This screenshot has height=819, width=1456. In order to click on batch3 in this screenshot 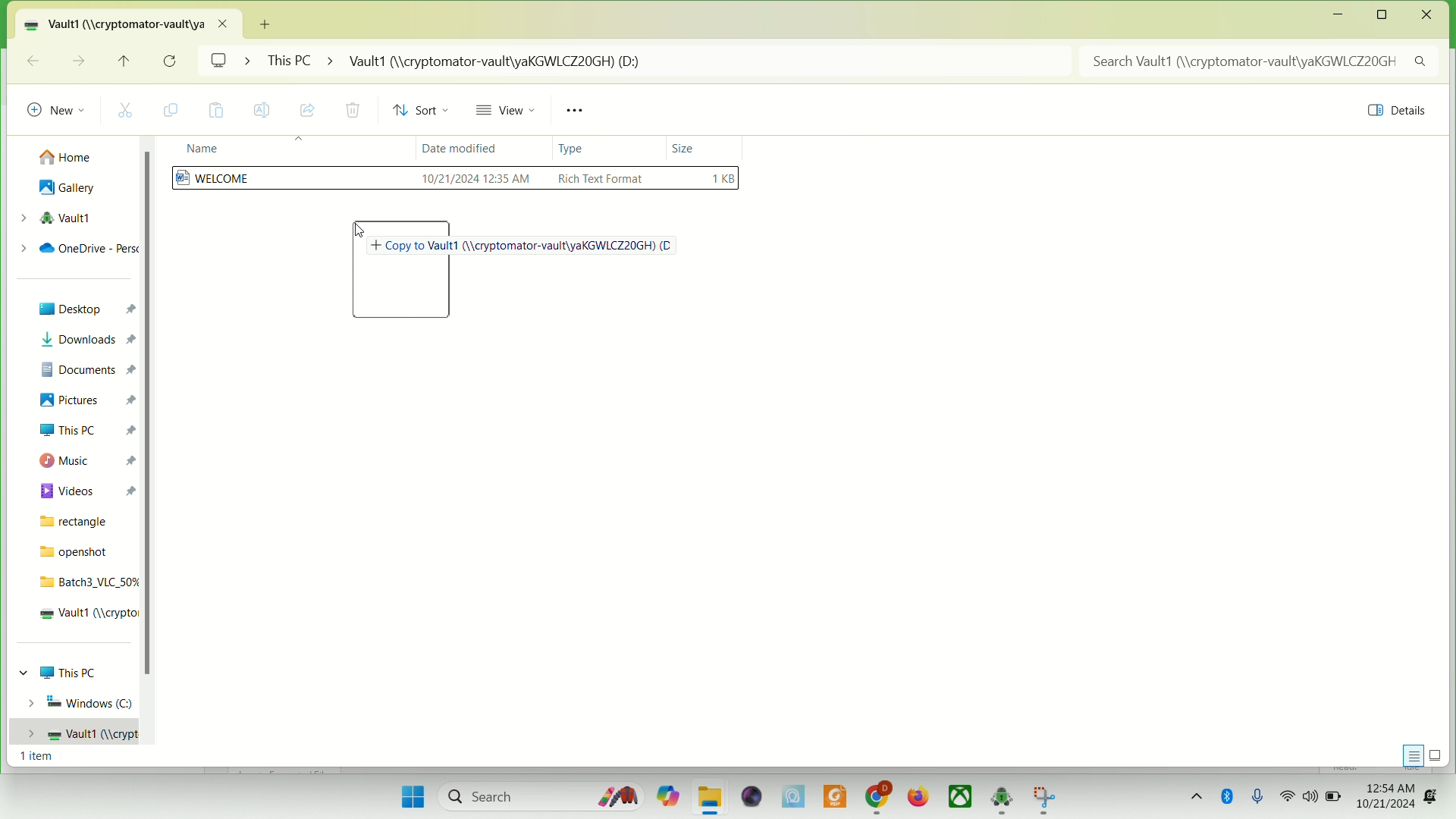, I will do `click(85, 582)`.